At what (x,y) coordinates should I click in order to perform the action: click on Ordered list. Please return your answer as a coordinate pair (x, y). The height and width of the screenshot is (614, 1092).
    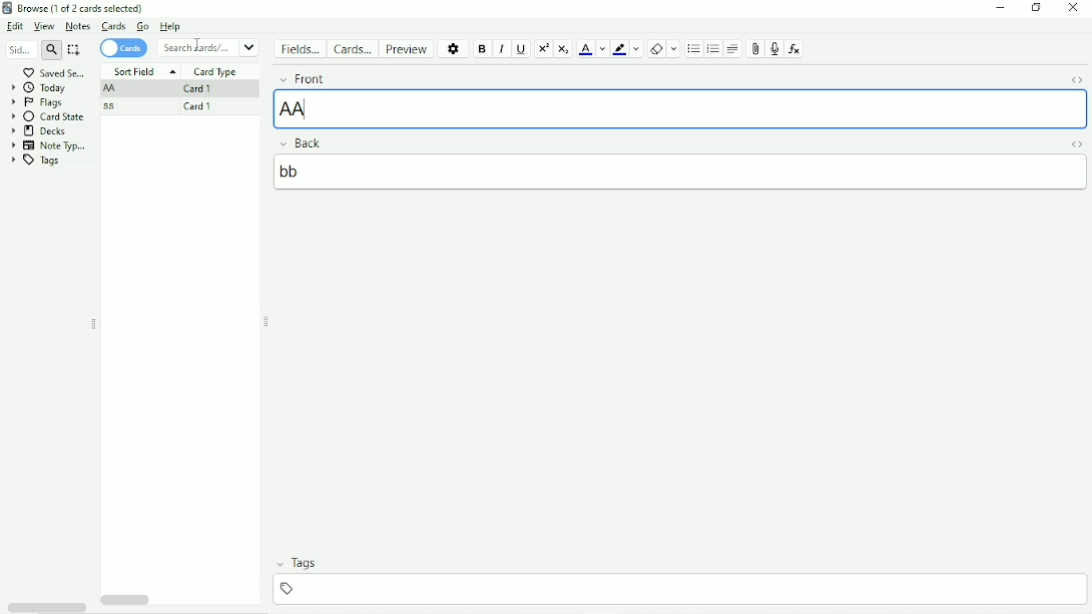
    Looking at the image, I should click on (713, 50).